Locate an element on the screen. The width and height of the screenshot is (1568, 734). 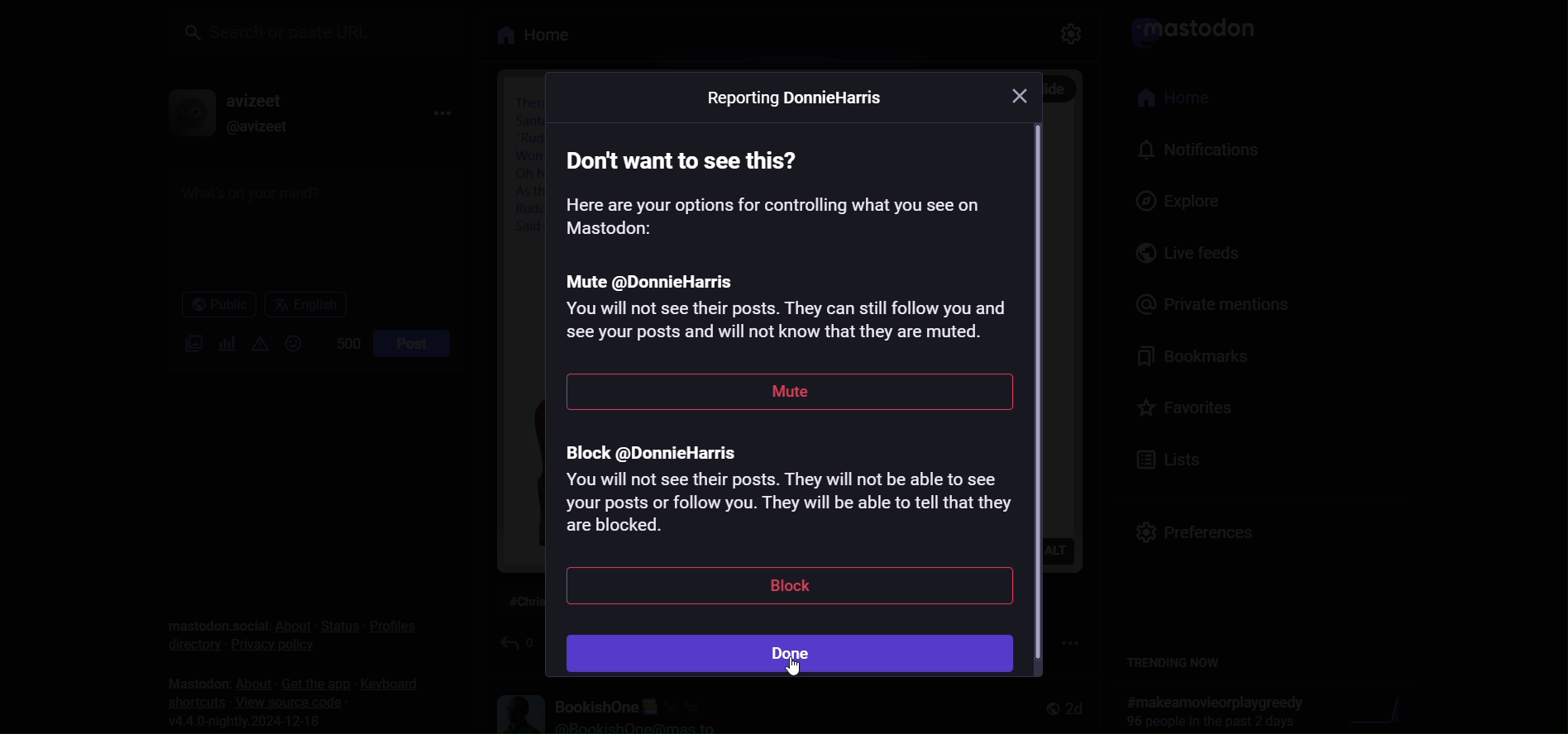
lists is located at coordinates (1167, 456).